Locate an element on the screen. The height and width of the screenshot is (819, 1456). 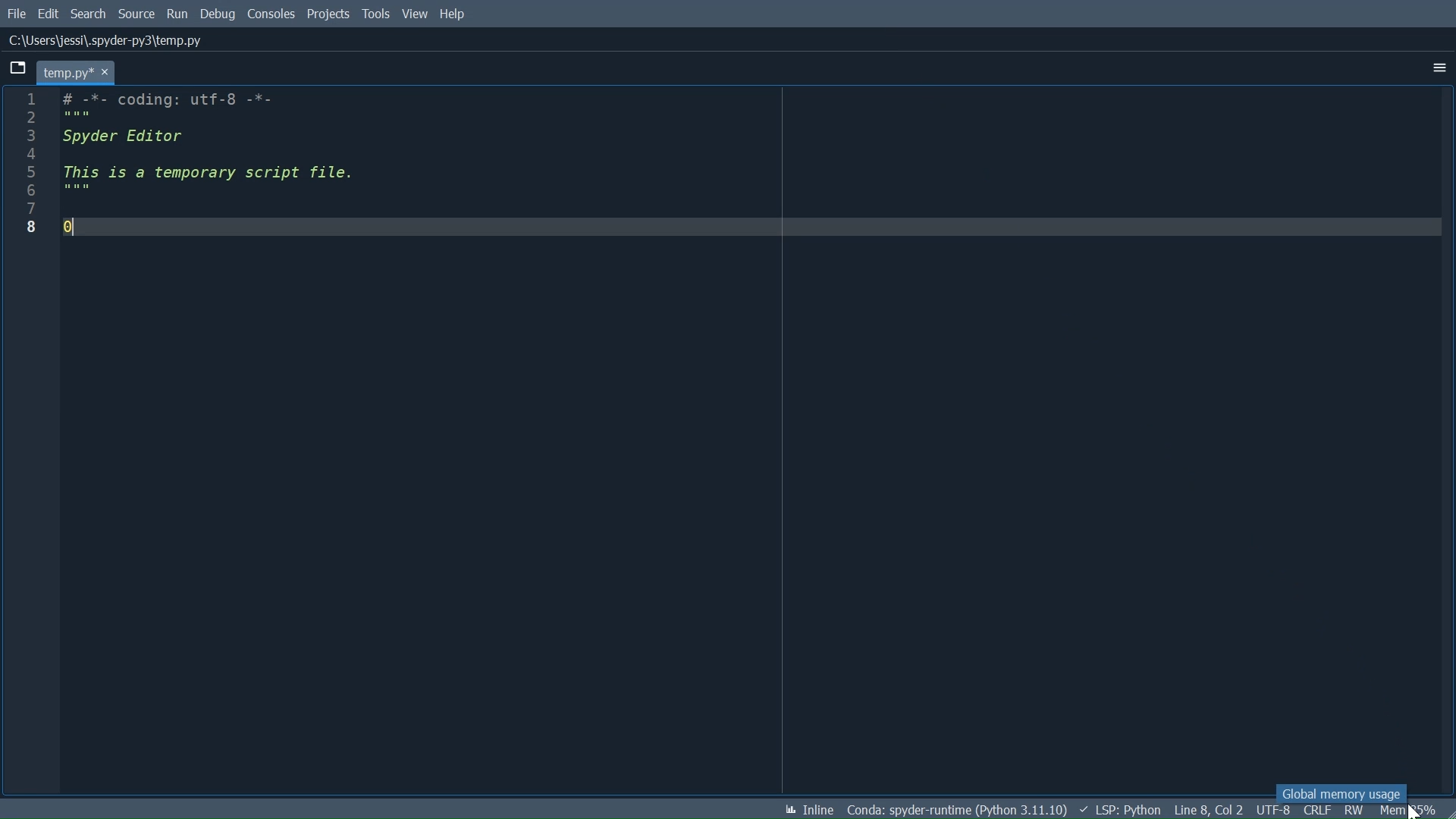
1 2 3 4 5 6 7 8  is located at coordinates (33, 168).